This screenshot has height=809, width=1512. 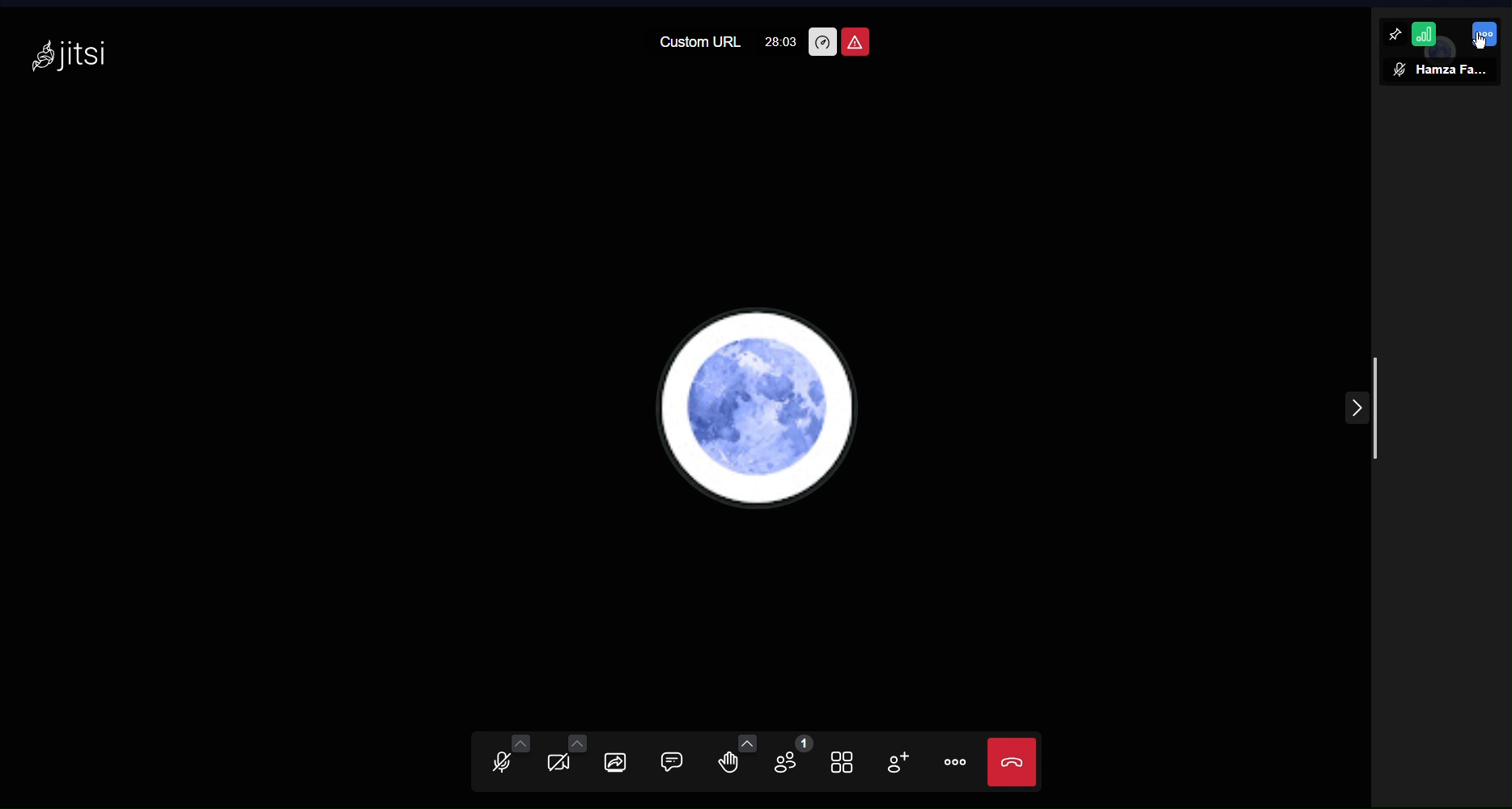 I want to click on Performance Settings, so click(x=822, y=42).